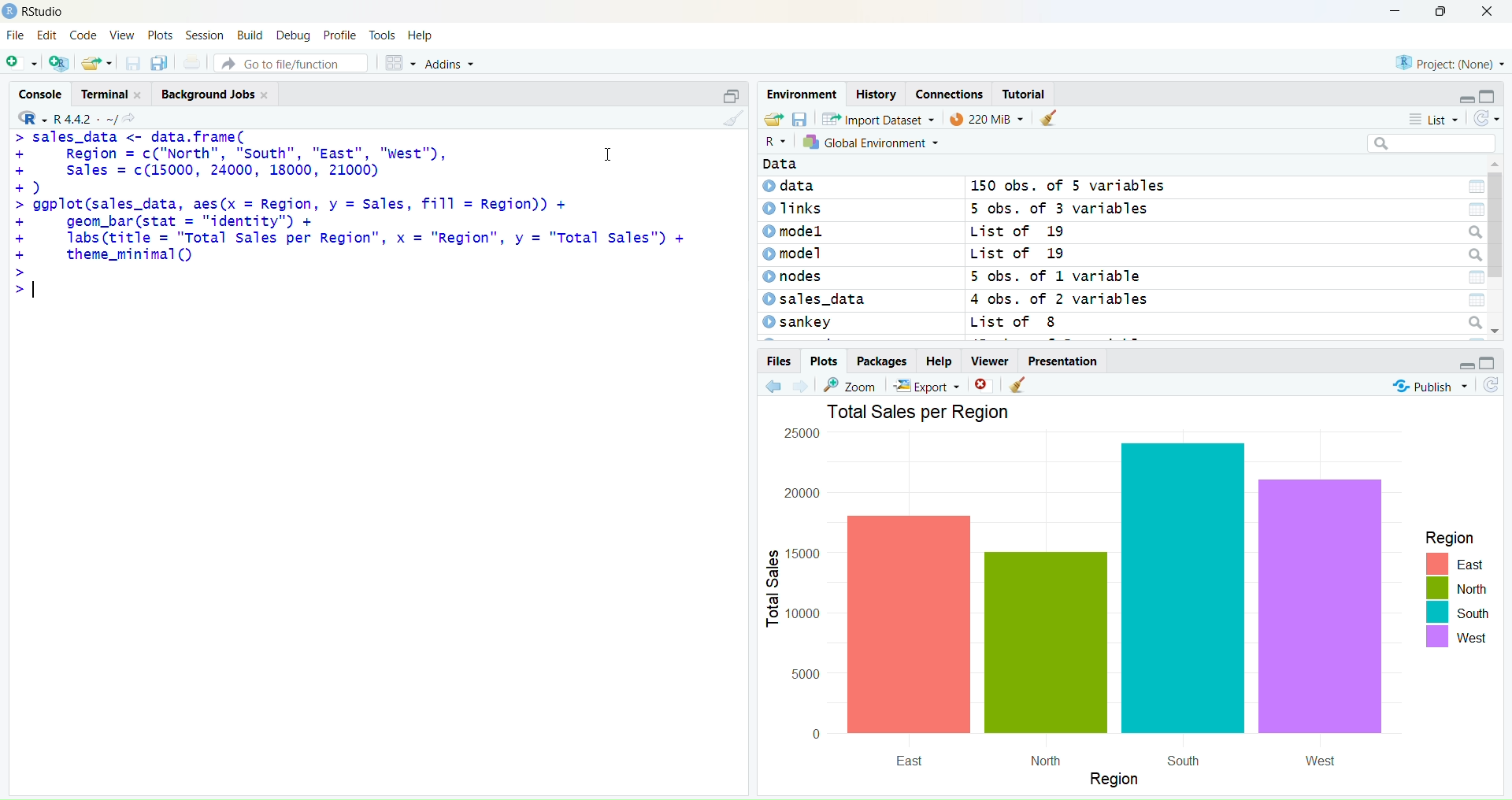  I want to click on View, so click(124, 36).